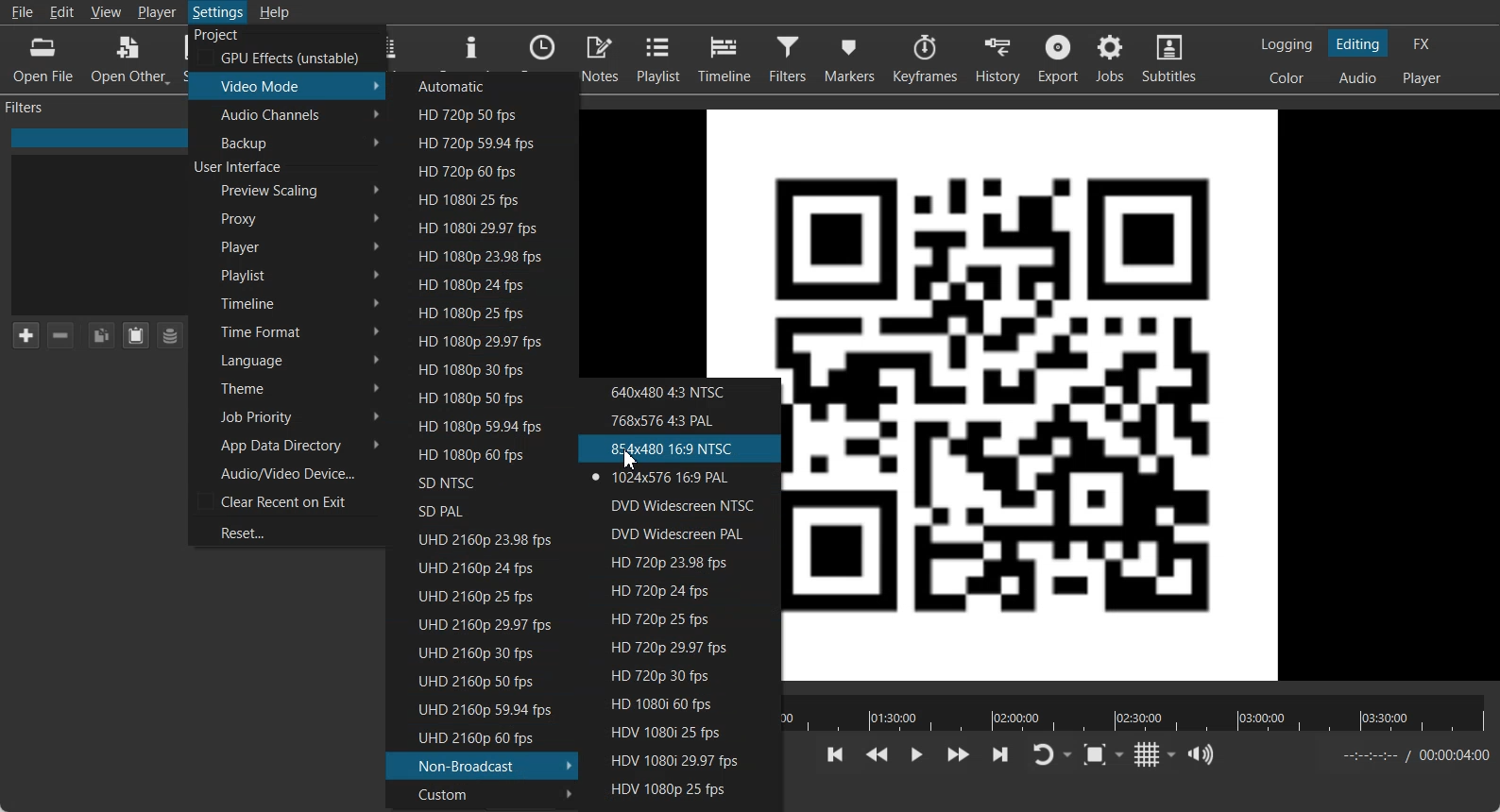 The height and width of the screenshot is (812, 1500). I want to click on SD PAL, so click(473, 510).